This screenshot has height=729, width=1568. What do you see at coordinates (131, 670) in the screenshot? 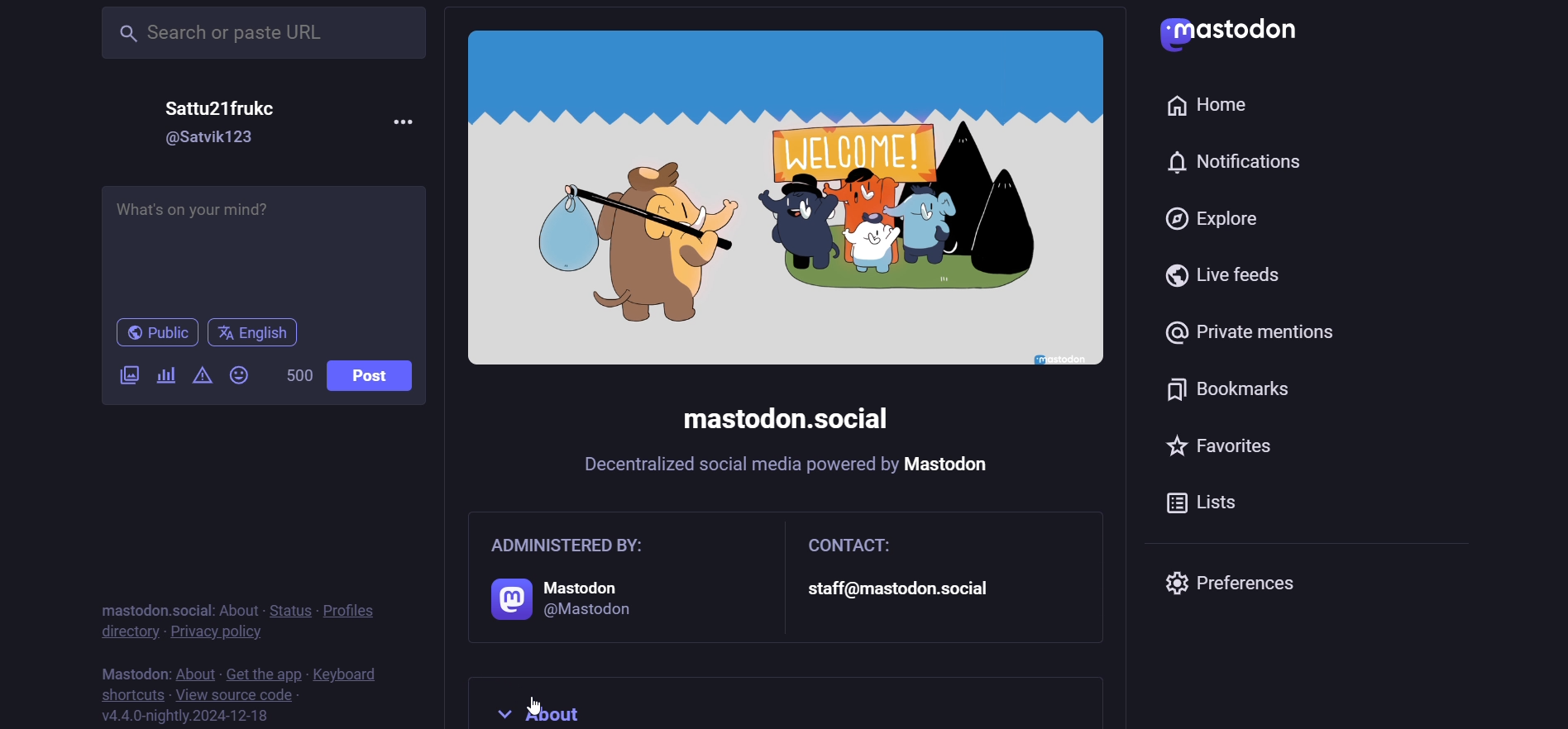
I see `mastodon` at bounding box center [131, 670].